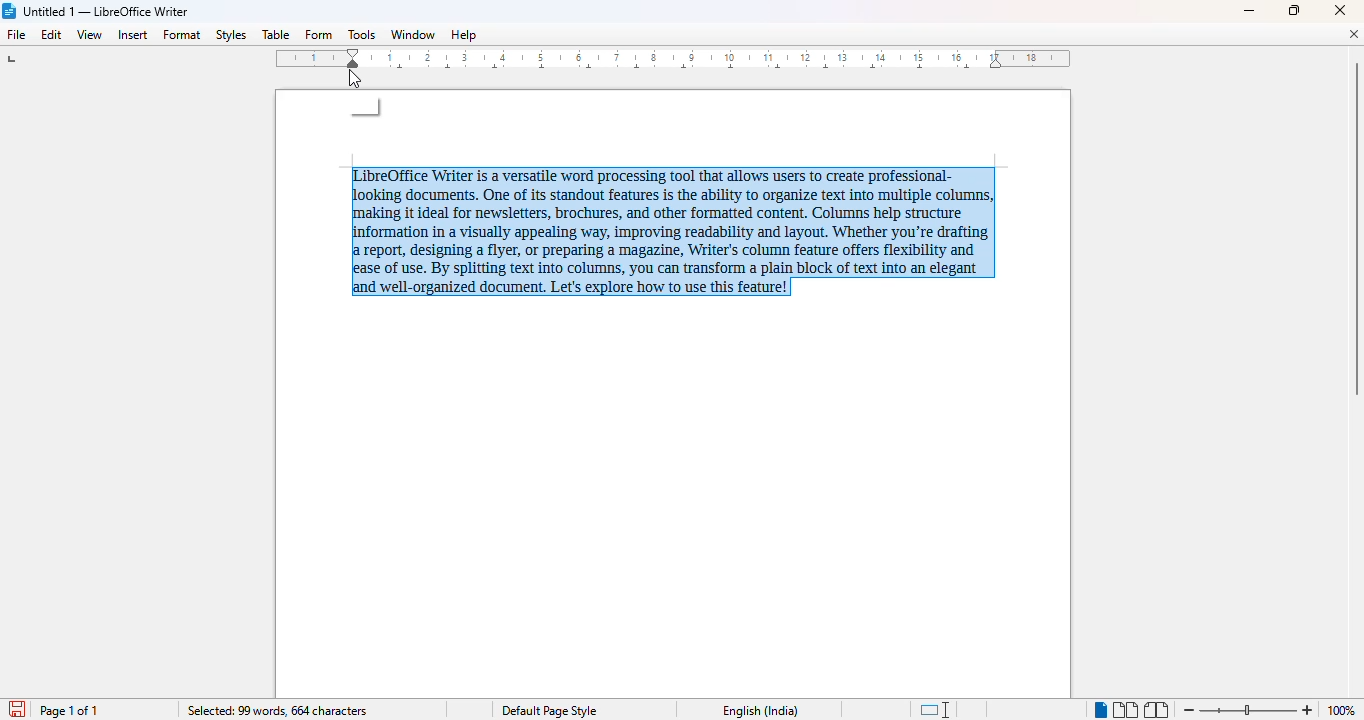 The image size is (1364, 720). I want to click on multi-page view, so click(1126, 710).